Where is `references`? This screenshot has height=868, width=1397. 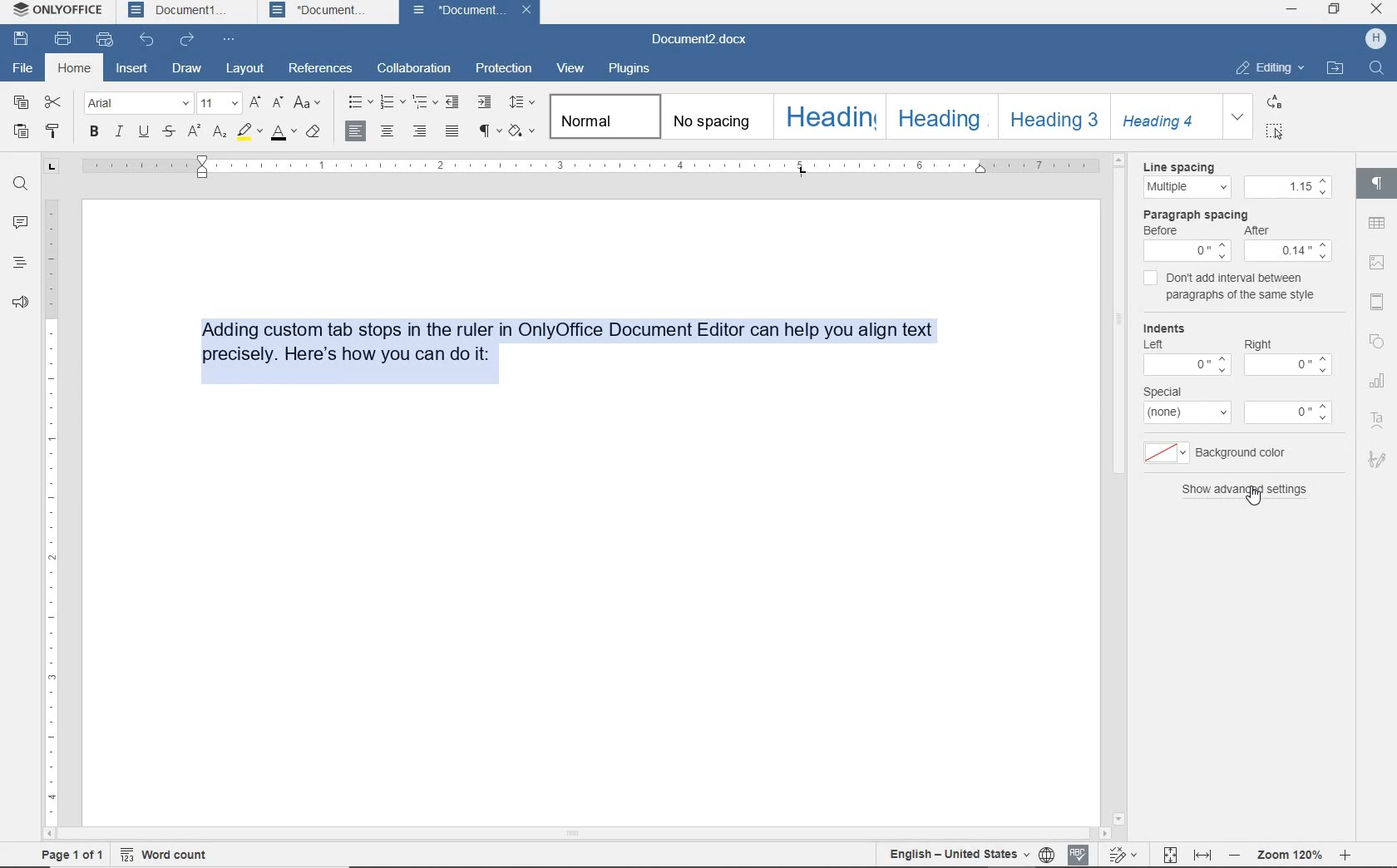 references is located at coordinates (321, 68).